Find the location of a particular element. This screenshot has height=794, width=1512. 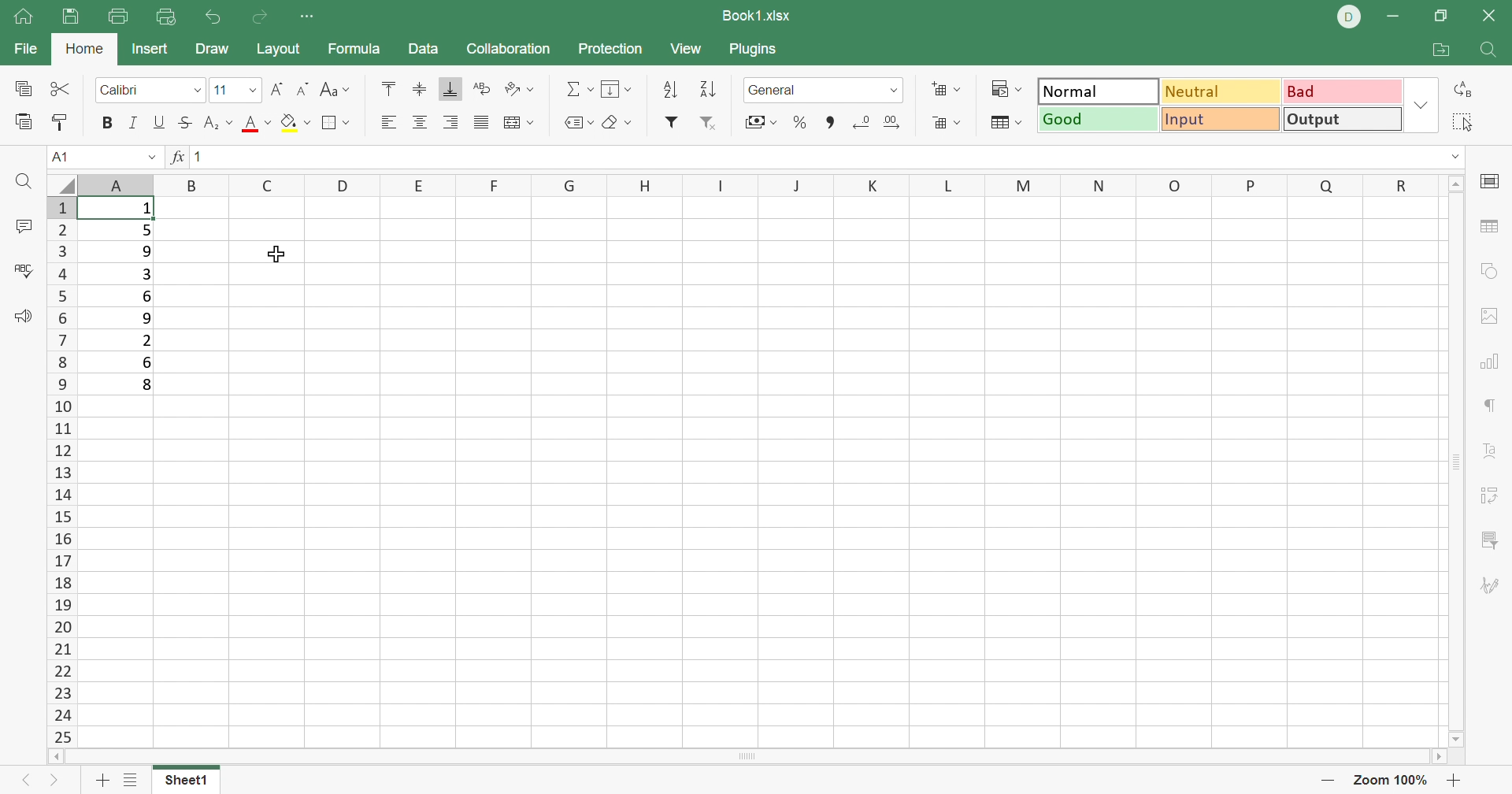

Formula is located at coordinates (353, 51).